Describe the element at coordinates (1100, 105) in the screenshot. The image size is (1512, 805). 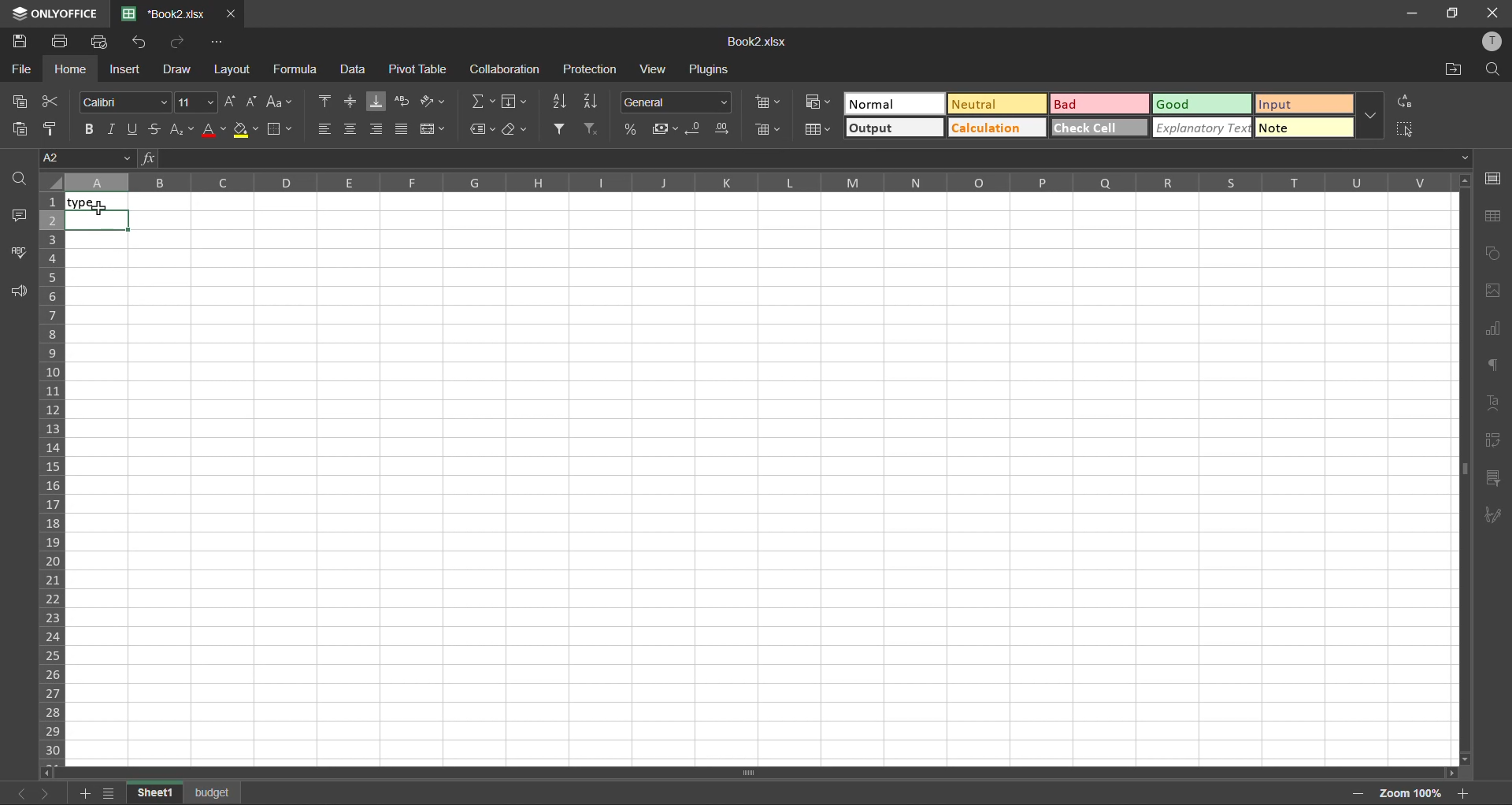
I see `bad` at that location.